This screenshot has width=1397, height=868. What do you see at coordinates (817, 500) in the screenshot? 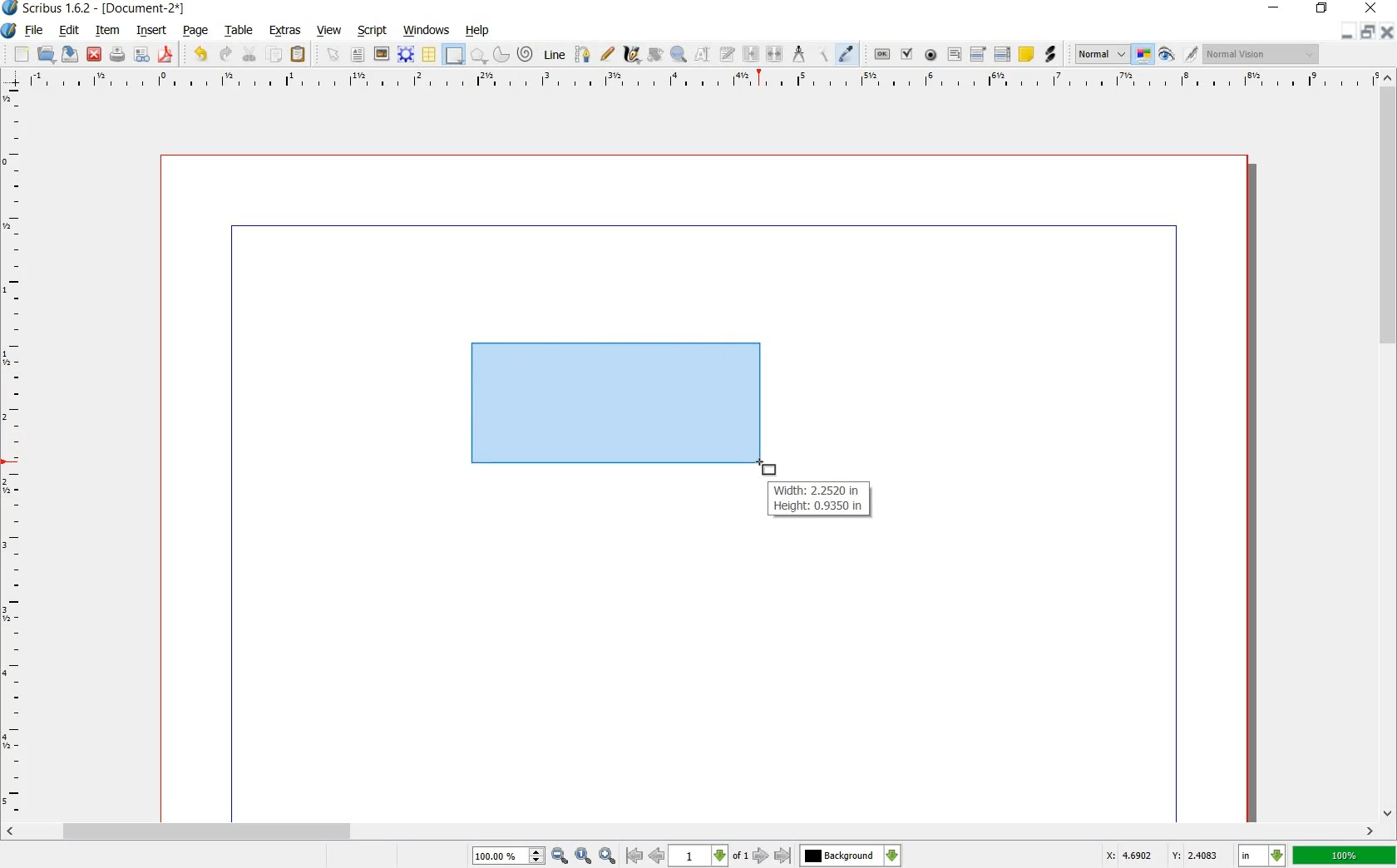
I see `Width: 2.2520 in Height: 0.9350 in` at bounding box center [817, 500].